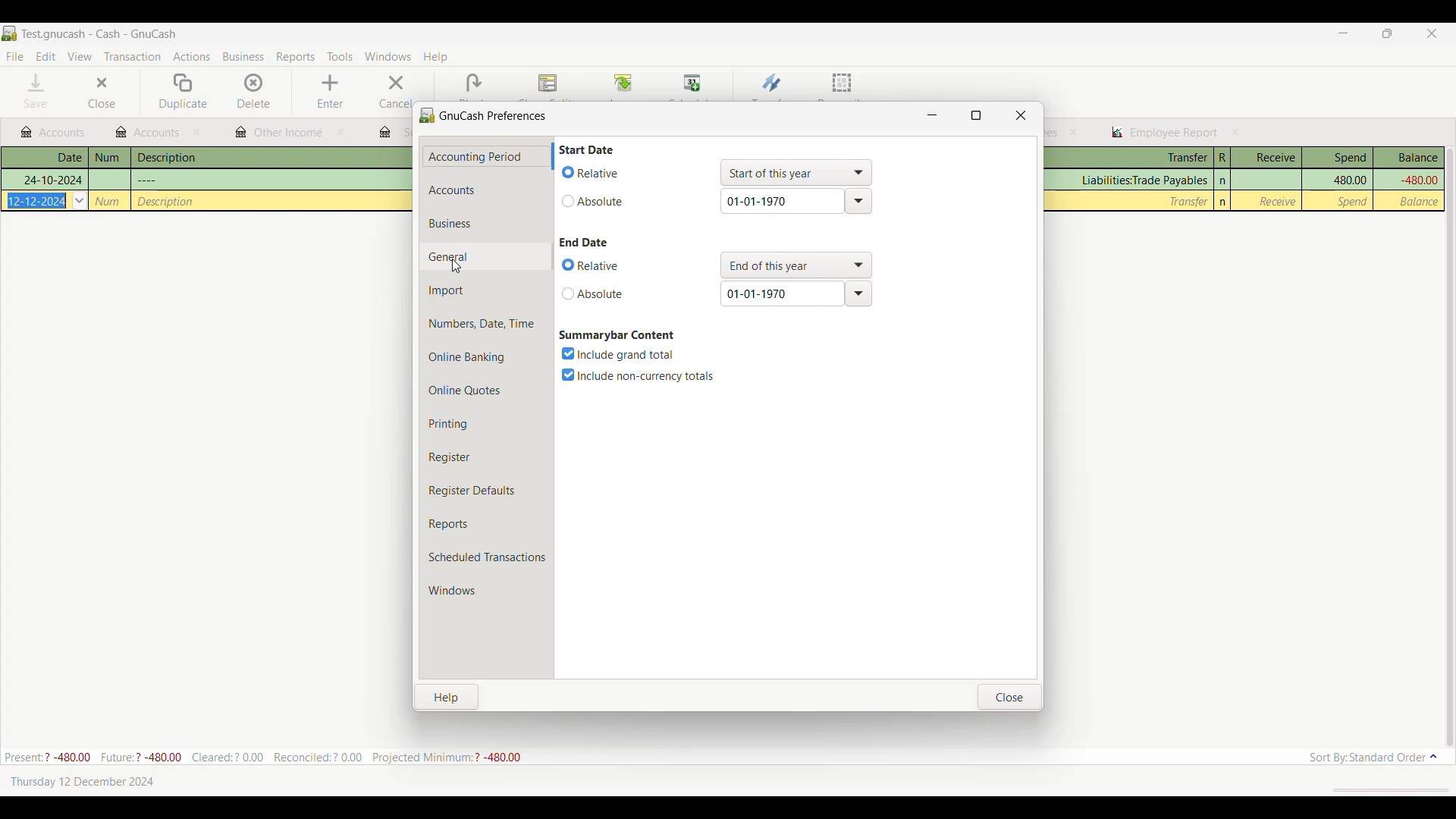 This screenshot has height=819, width=1456. I want to click on Windows, so click(486, 591).